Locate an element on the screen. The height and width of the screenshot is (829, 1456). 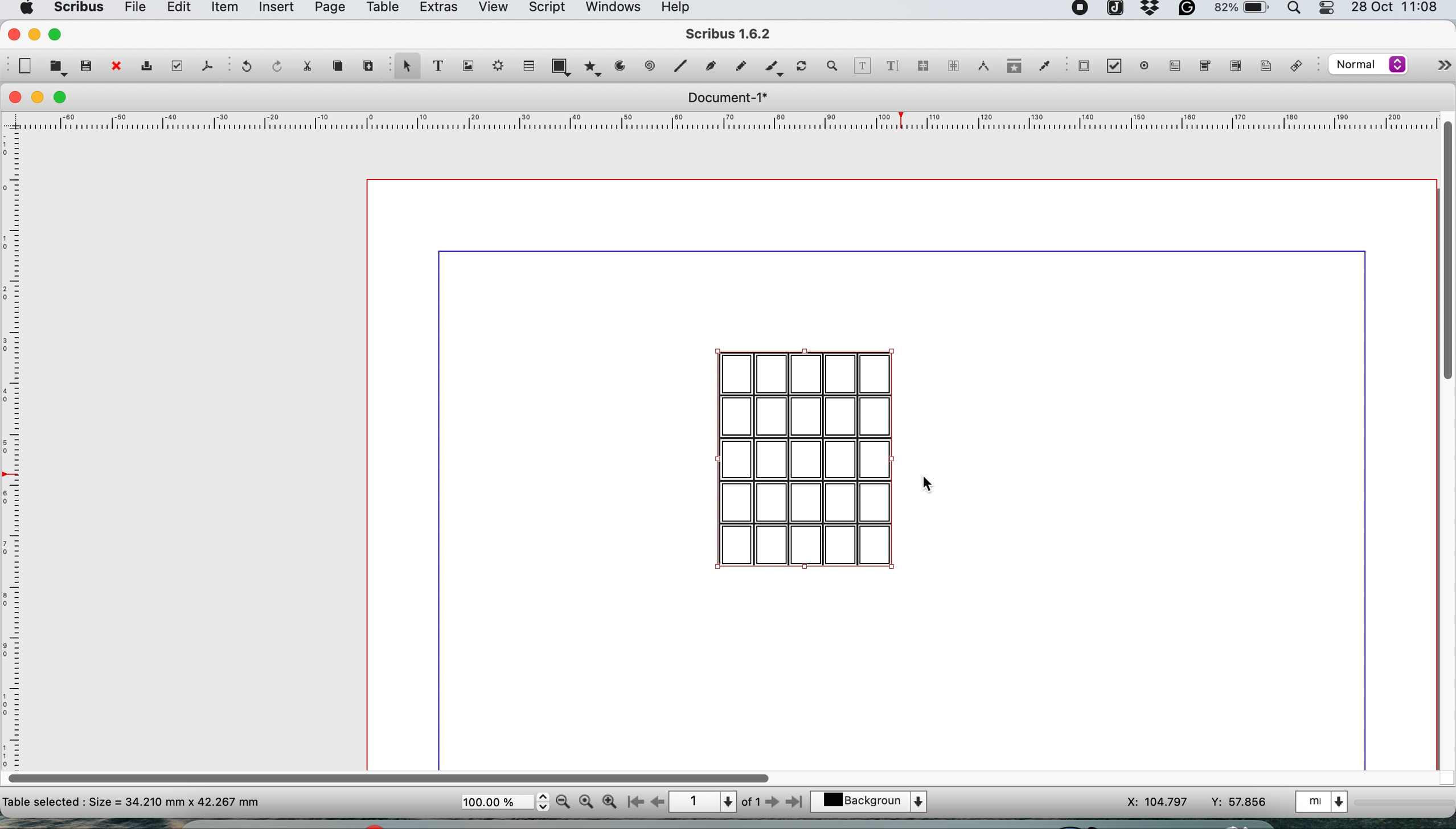
scribus is located at coordinates (77, 9).